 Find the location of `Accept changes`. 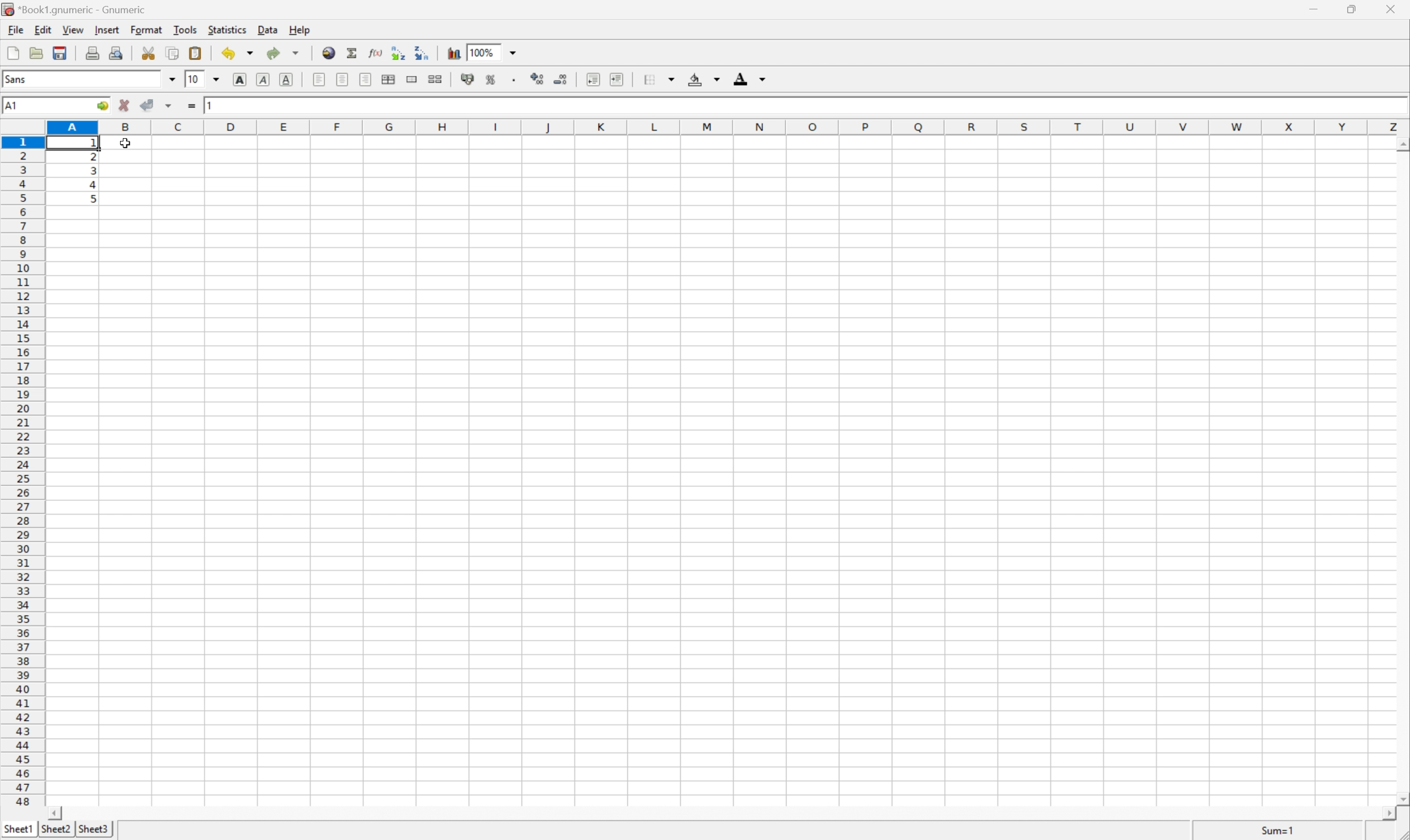

Accept changes is located at coordinates (147, 106).